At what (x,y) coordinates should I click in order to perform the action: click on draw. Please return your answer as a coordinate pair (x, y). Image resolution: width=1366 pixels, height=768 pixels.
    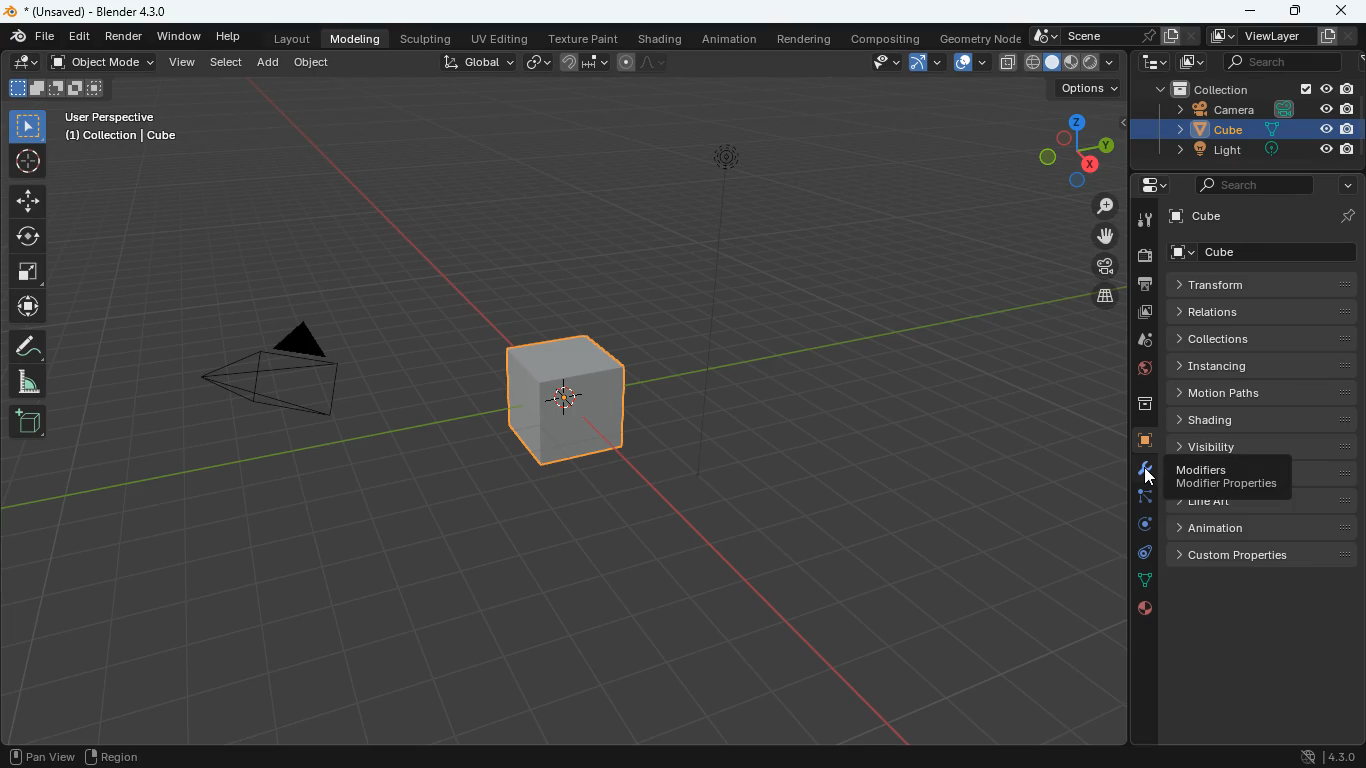
    Looking at the image, I should click on (30, 345).